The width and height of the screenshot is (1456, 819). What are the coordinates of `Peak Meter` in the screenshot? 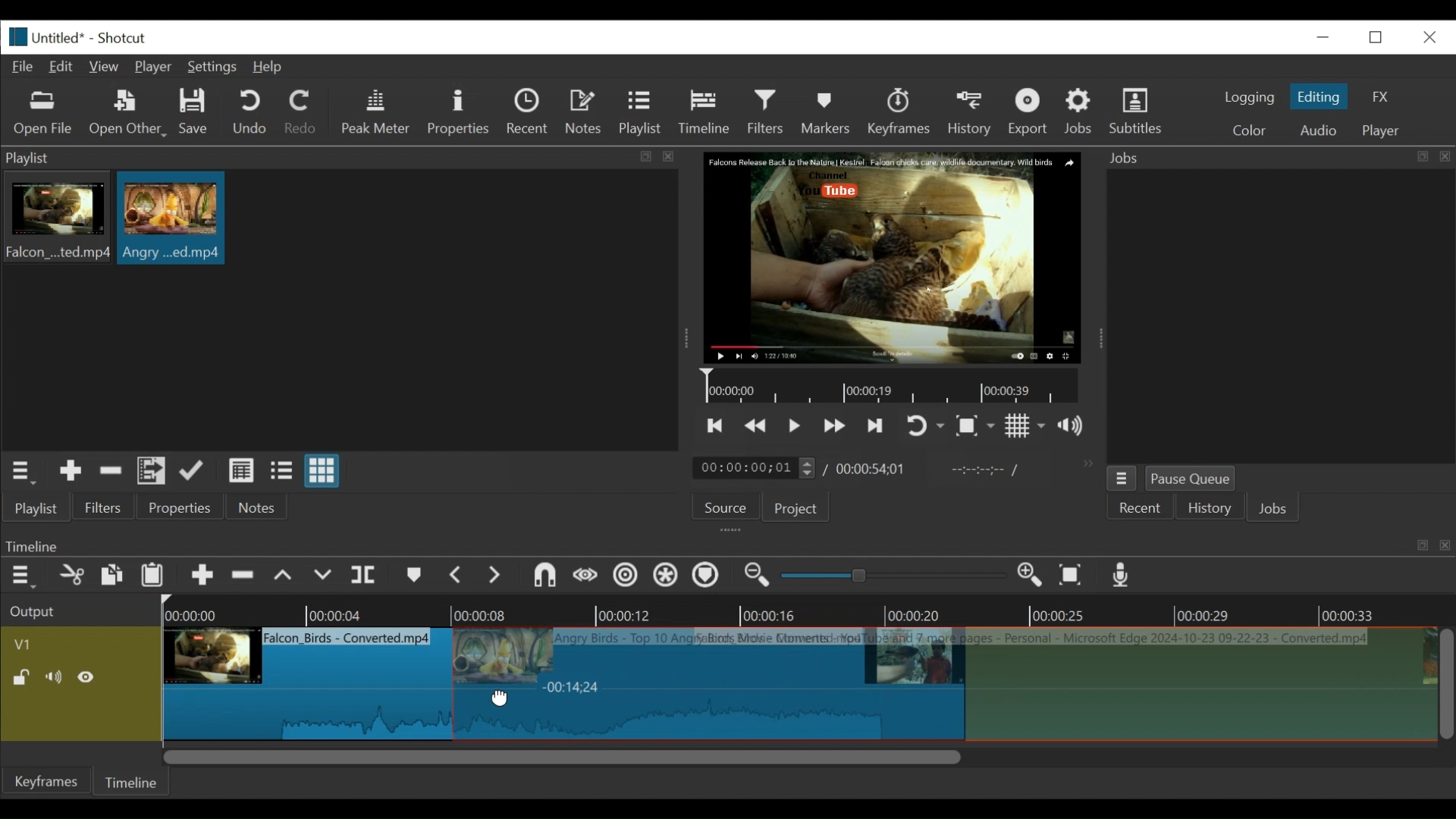 It's located at (378, 112).